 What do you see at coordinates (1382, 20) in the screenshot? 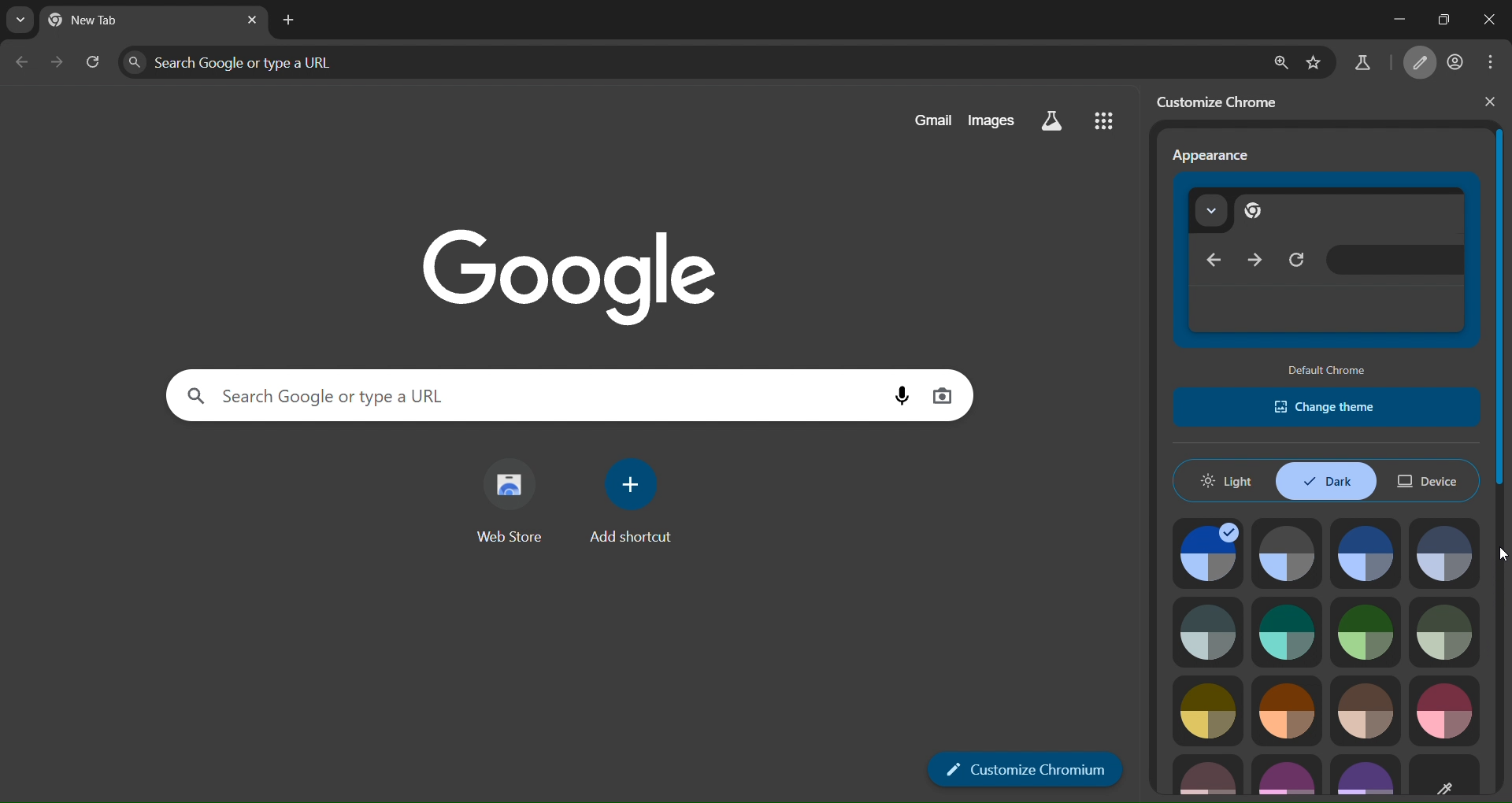
I see `minimize` at bounding box center [1382, 20].